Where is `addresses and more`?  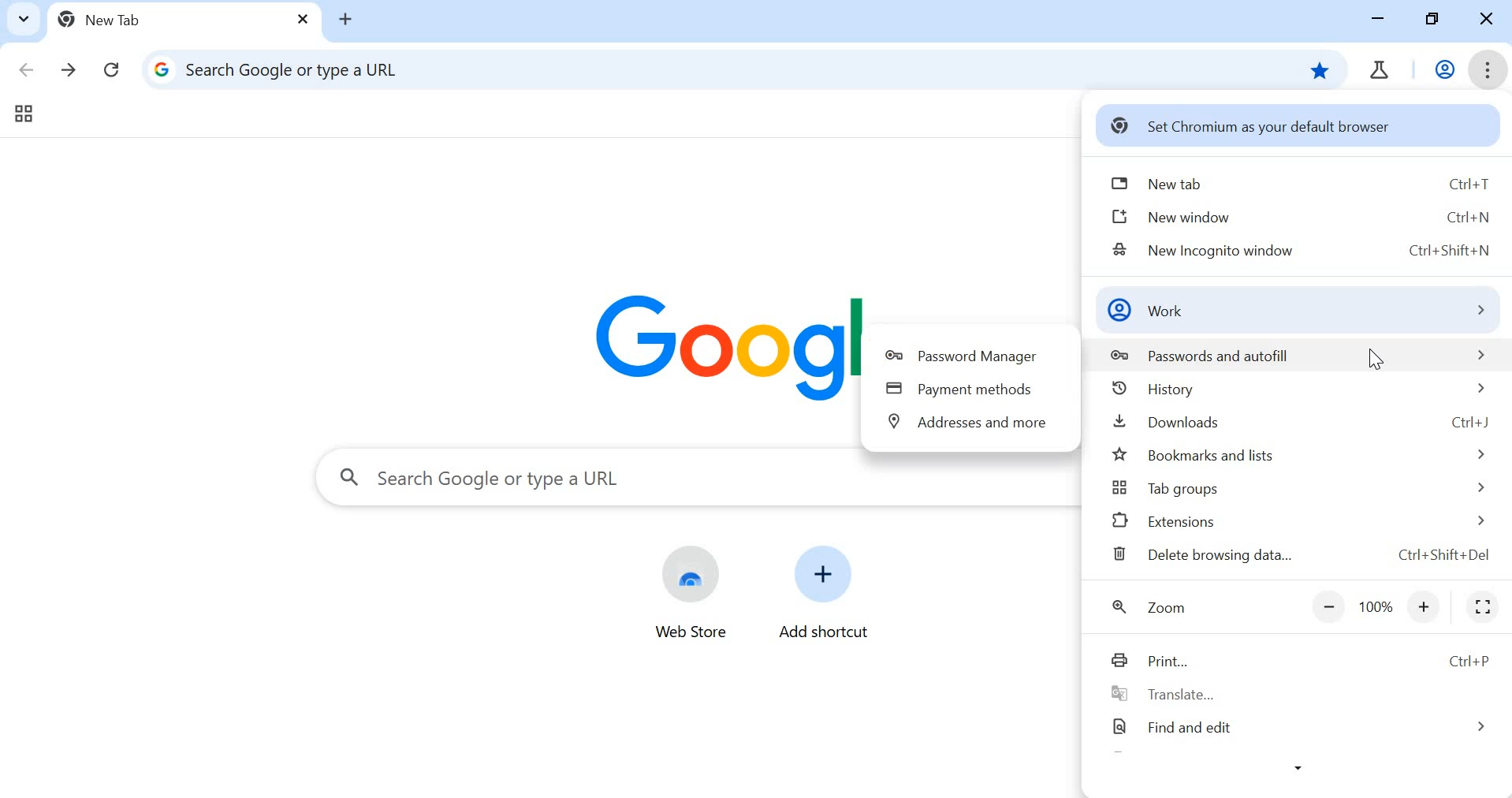 addresses and more is located at coordinates (969, 425).